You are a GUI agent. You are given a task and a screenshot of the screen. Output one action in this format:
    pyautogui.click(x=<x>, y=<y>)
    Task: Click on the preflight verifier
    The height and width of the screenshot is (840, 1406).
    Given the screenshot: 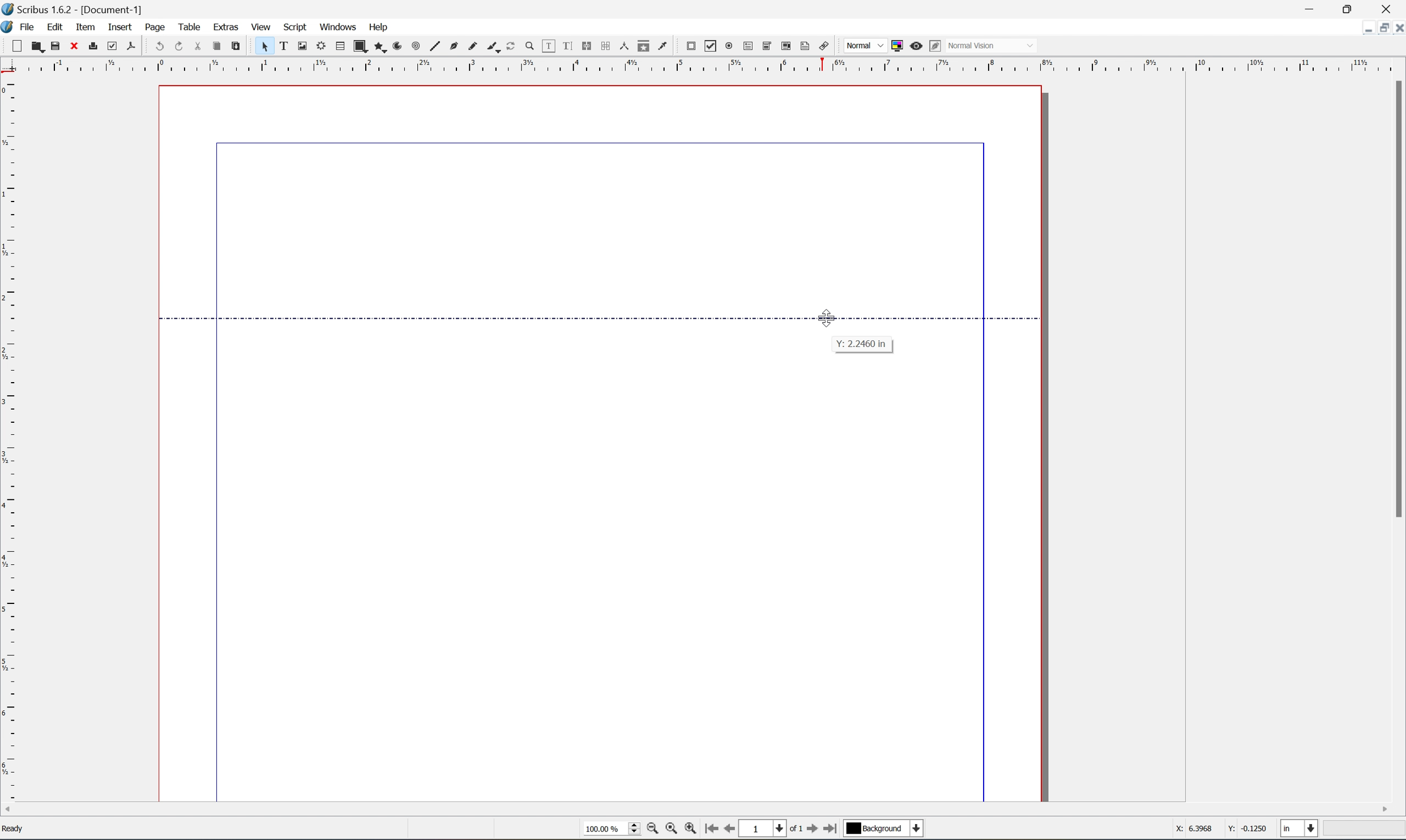 What is the action you would take?
    pyautogui.click(x=112, y=46)
    